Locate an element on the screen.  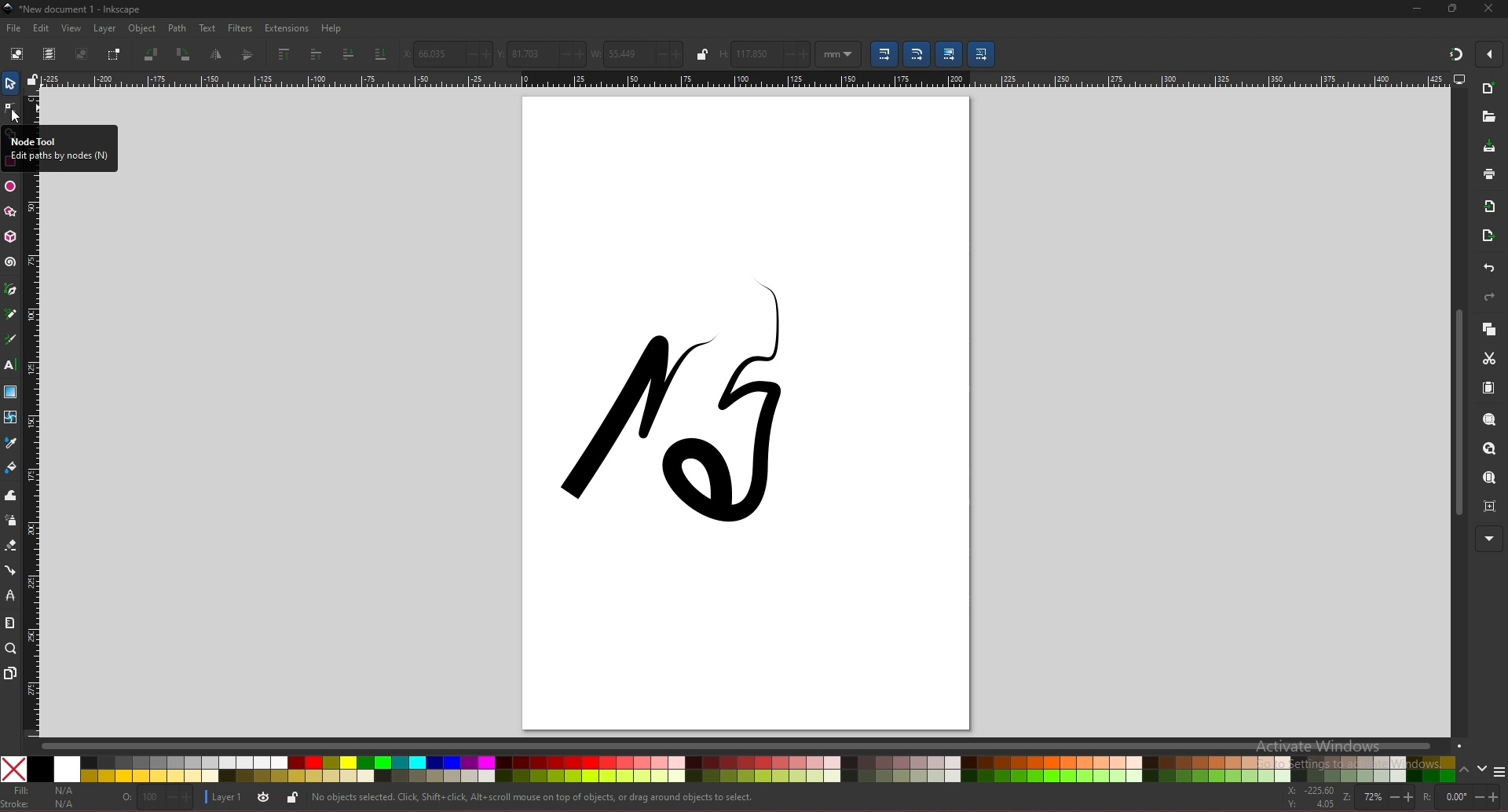
file is located at coordinates (13, 28).